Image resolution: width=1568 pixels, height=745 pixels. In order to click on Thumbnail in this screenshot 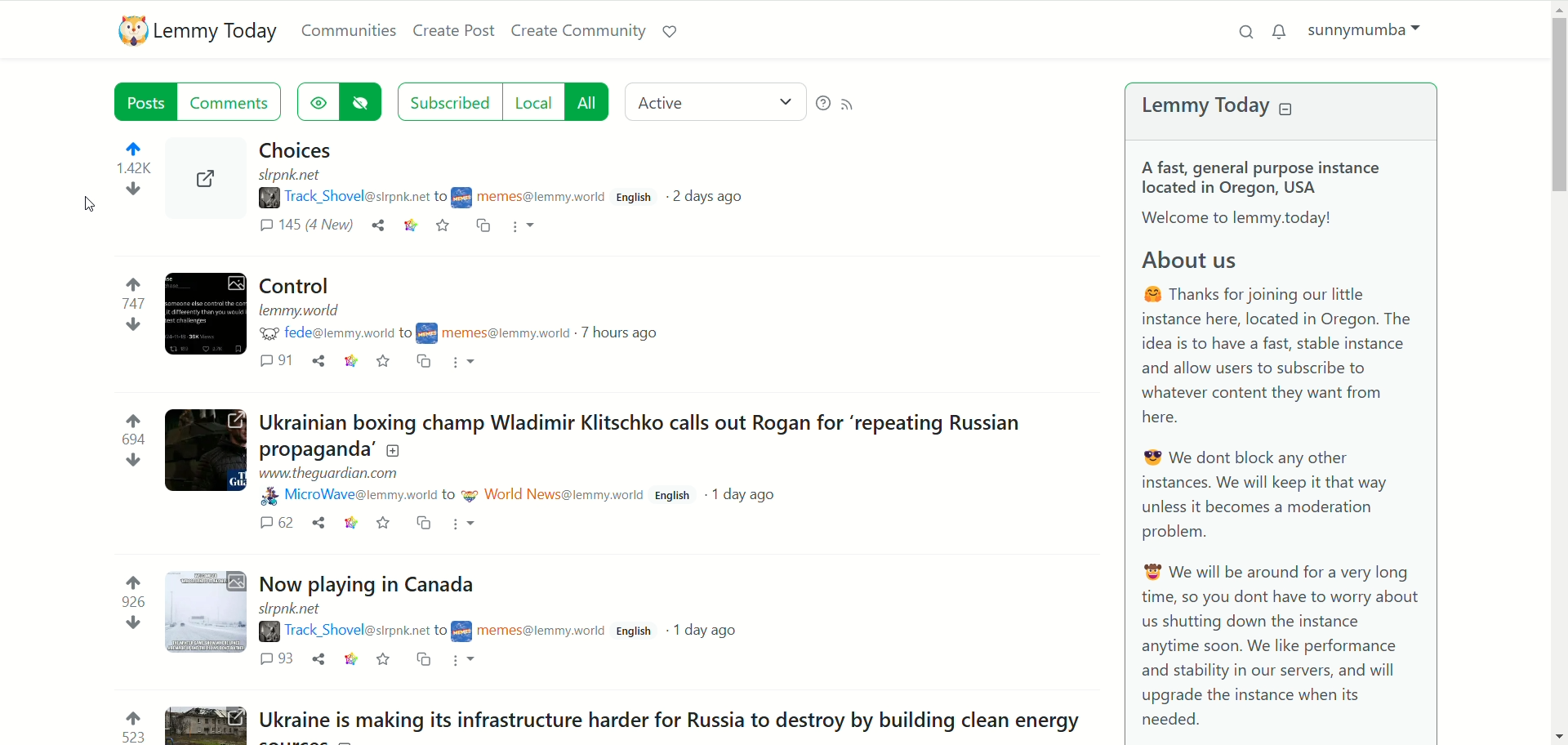, I will do `click(209, 191)`.